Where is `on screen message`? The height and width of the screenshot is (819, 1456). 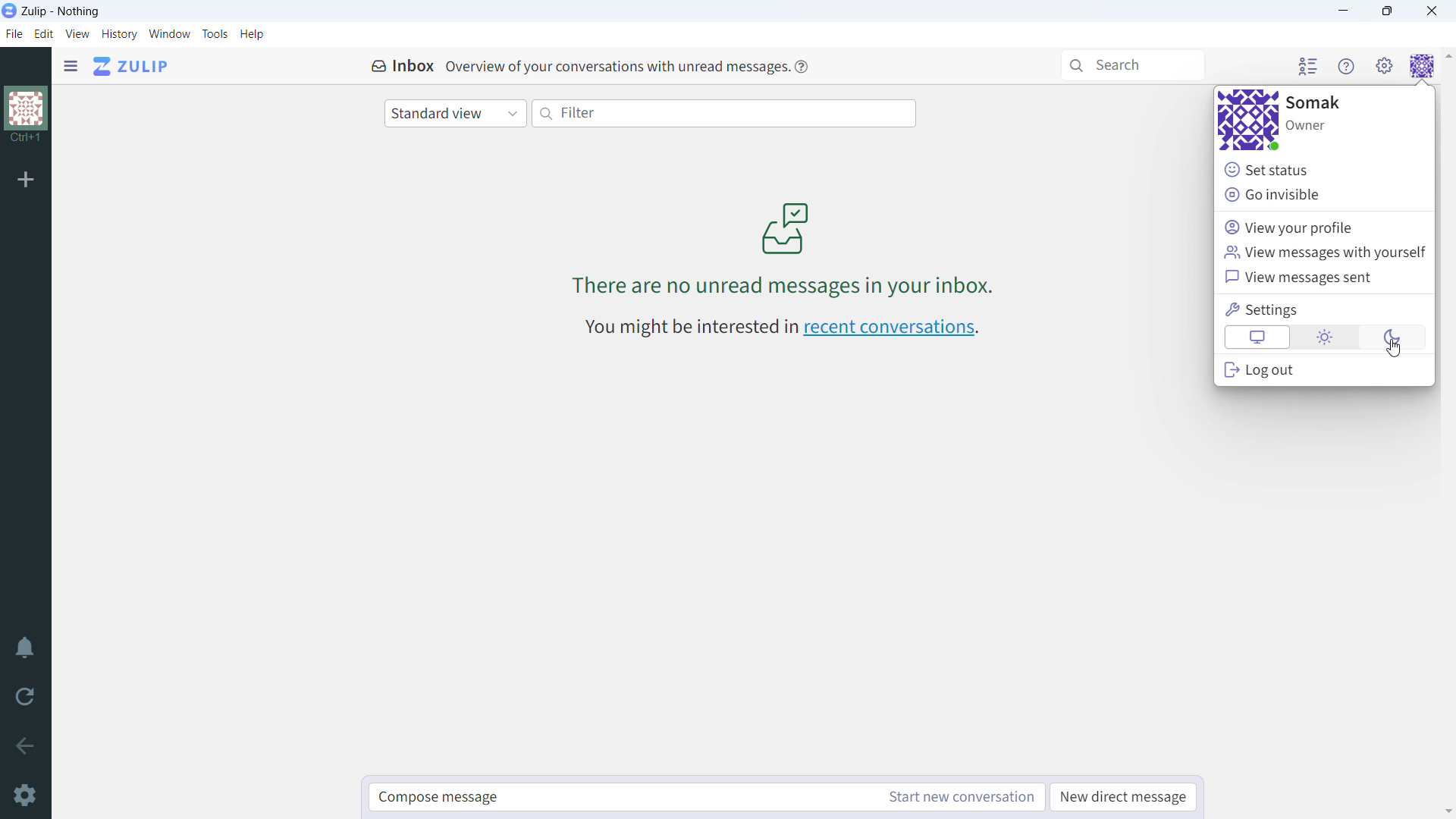
on screen message is located at coordinates (787, 246).